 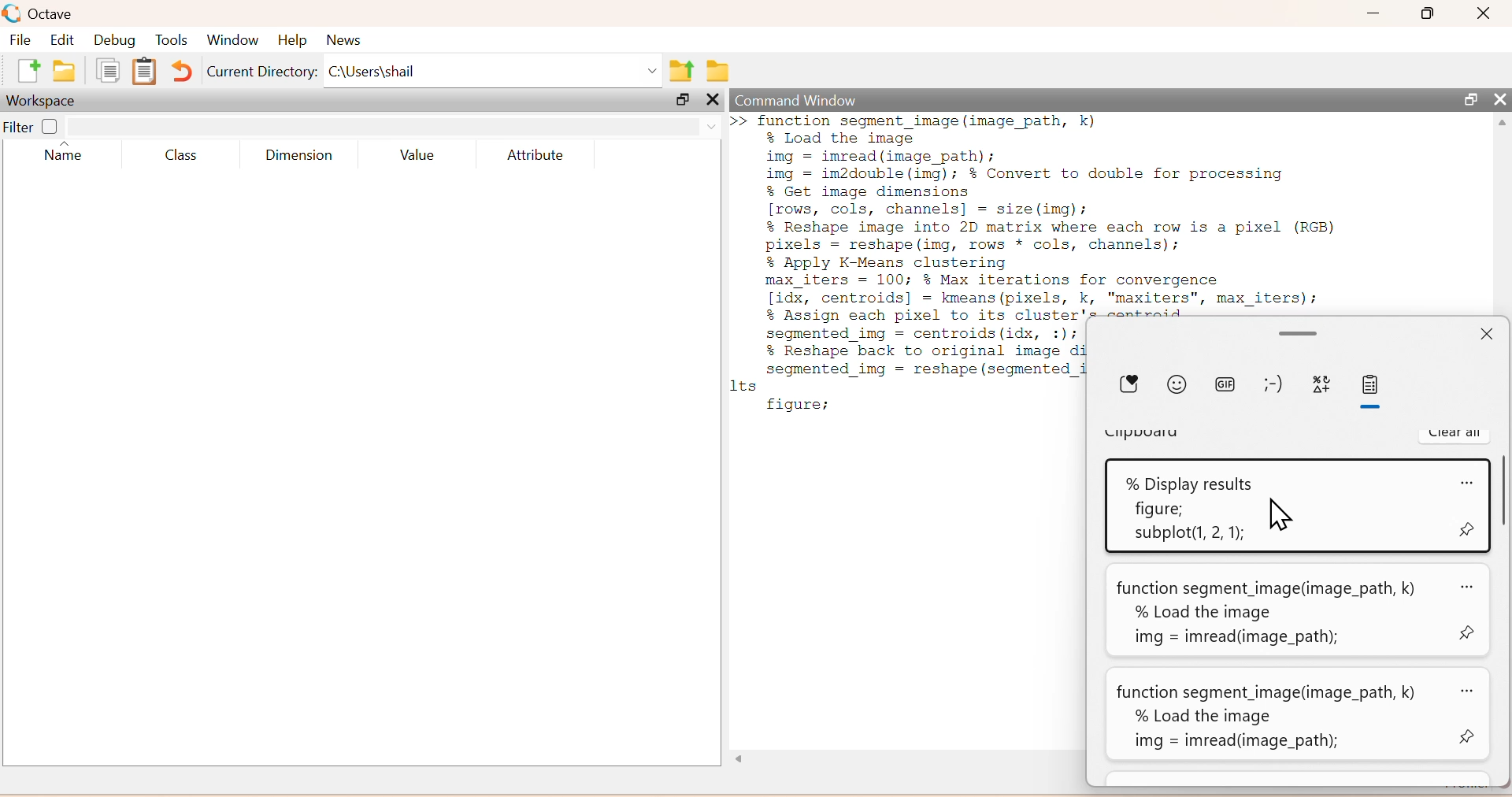 I want to click on function segment_image (image_path, k)% Load the imageimg = imread(image_path);img = im2double (img); % Convert to double for processing% Get image dimensions[rows, cols, channels] = size (img);% Reshape image into 2D matrix where each row is a pixel (RGB)pixels = reshape (img, rows * cols, channels);% Apply K-Means clusteringmax_iters = 100; % Max iterations for convergence[idx, centroids] = kmeans (pixels, k, "maxiters", max_iters);% Assign each pixel to its cluster's centroids, so click(x=1041, y=219).